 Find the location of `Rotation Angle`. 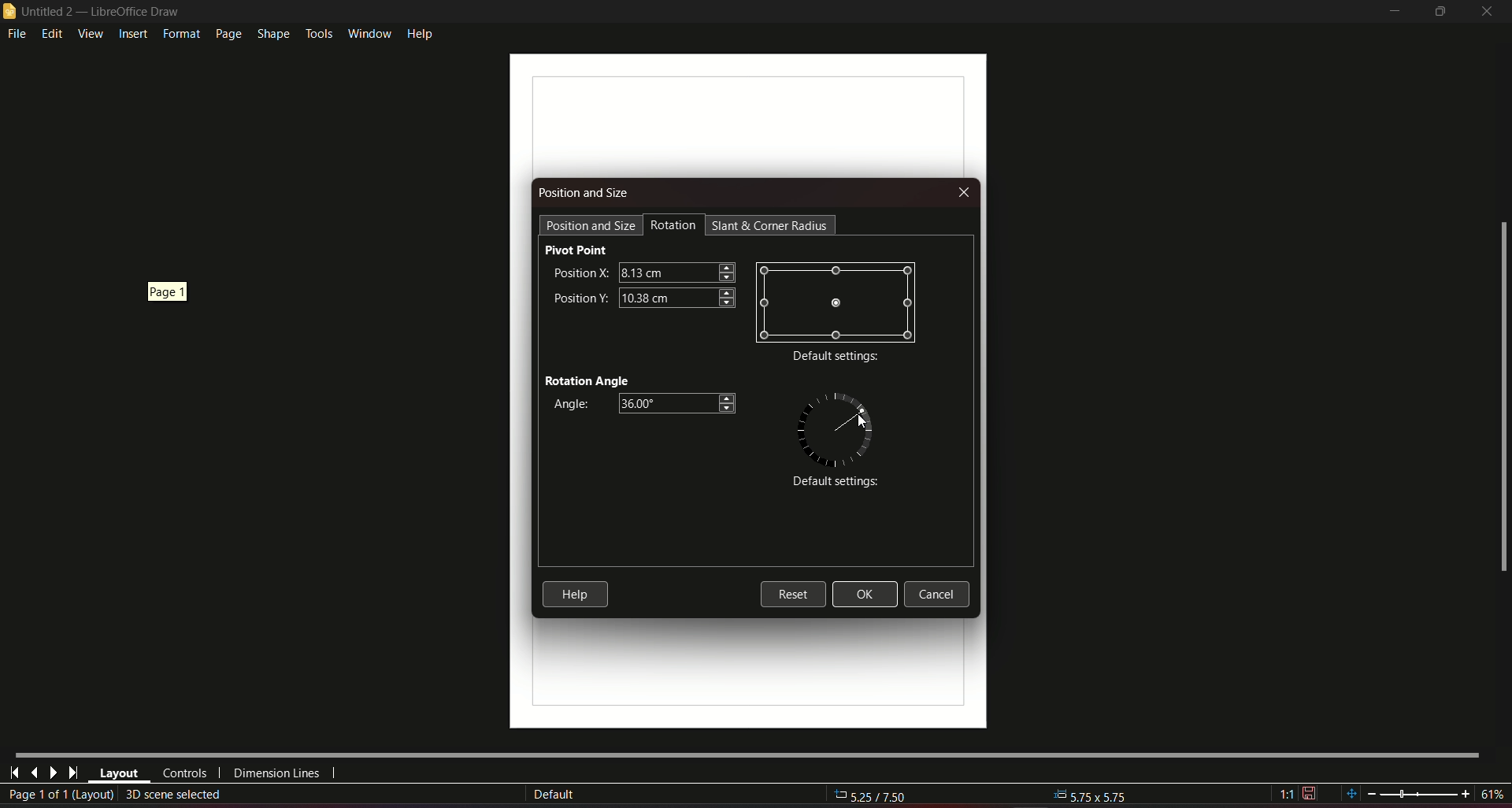

Rotation Angle is located at coordinates (587, 379).